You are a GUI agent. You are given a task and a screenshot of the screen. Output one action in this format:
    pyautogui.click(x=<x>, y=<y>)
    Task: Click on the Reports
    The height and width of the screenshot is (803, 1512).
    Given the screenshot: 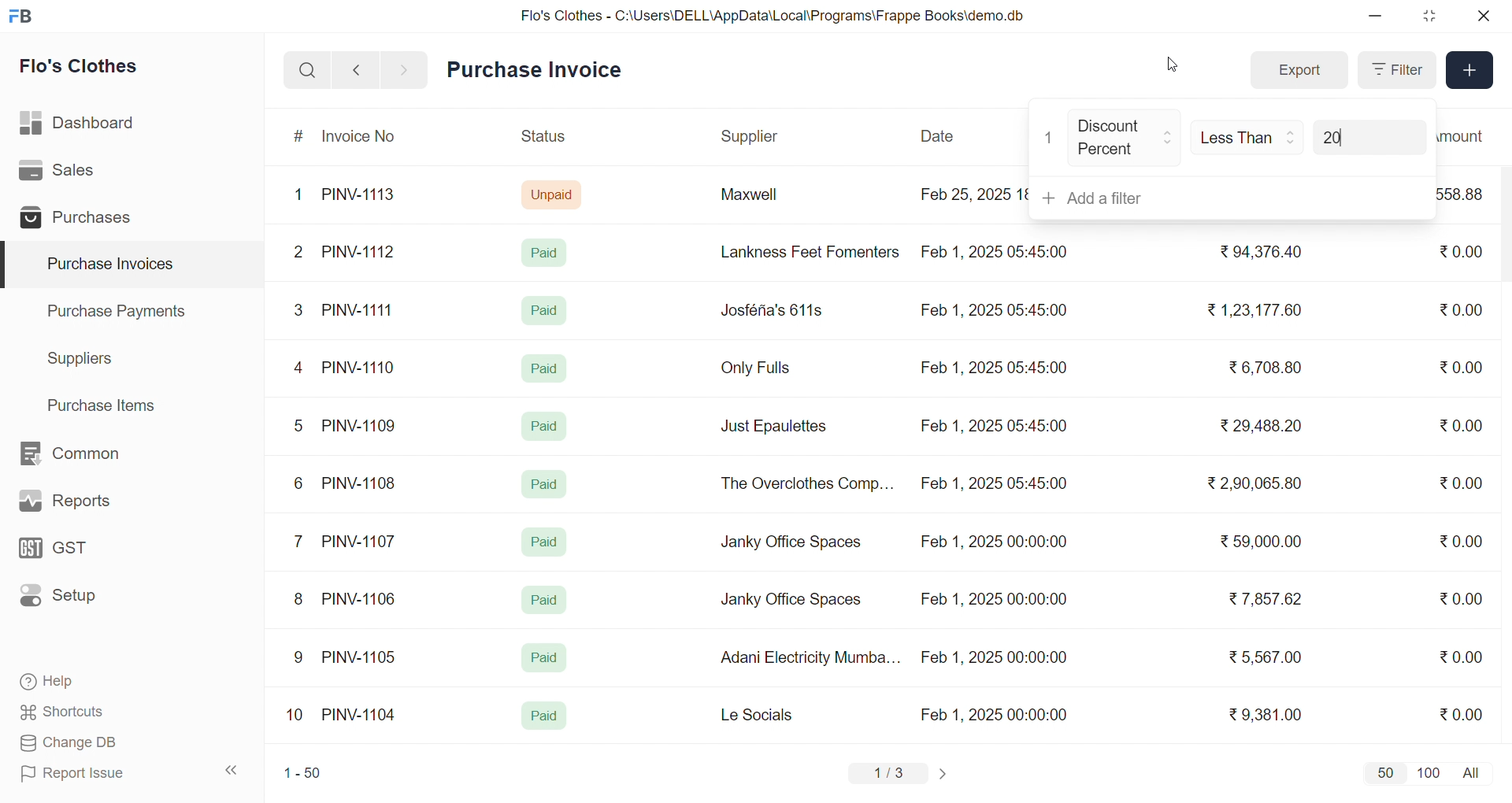 What is the action you would take?
    pyautogui.click(x=83, y=505)
    